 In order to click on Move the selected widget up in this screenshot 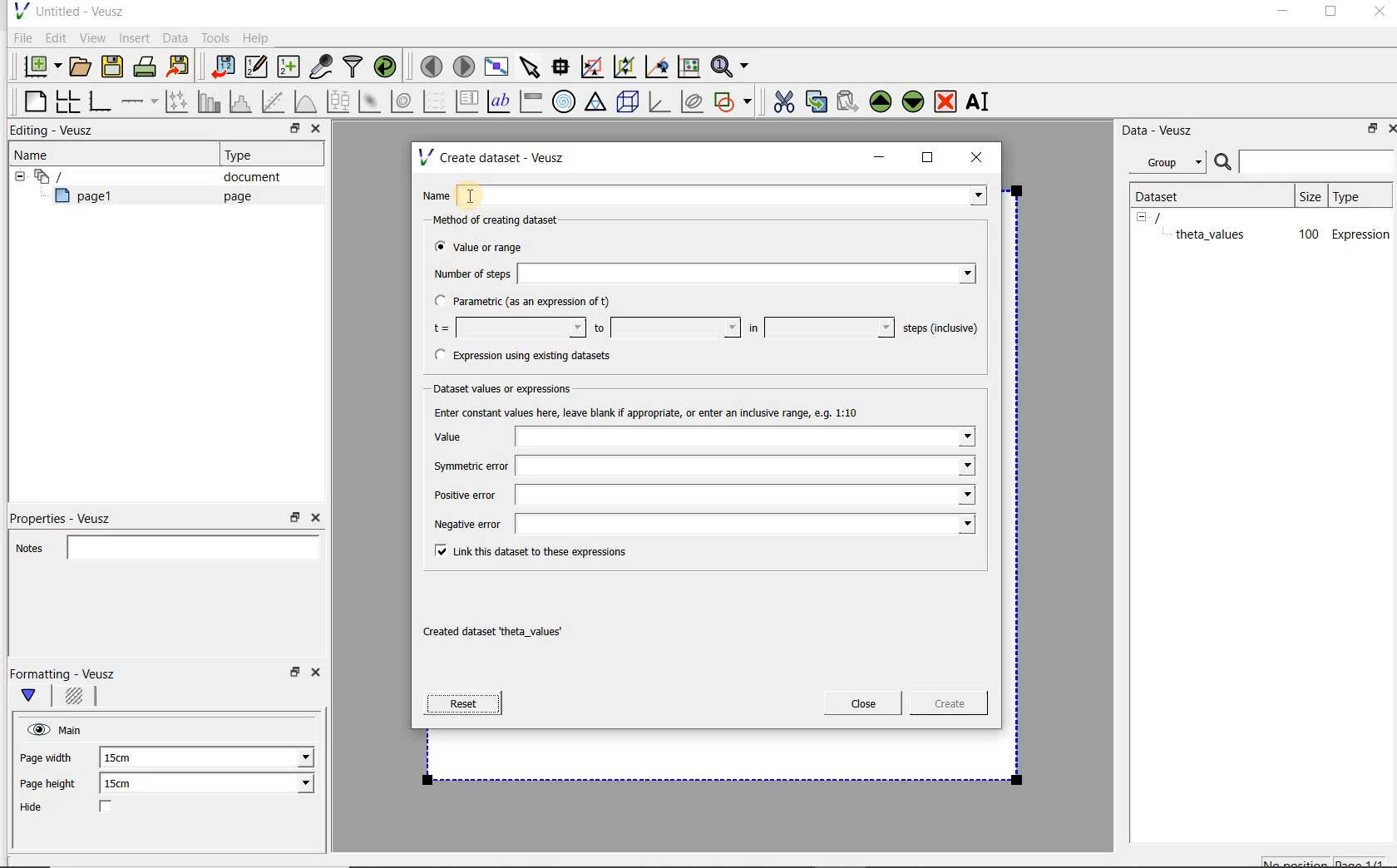, I will do `click(881, 101)`.